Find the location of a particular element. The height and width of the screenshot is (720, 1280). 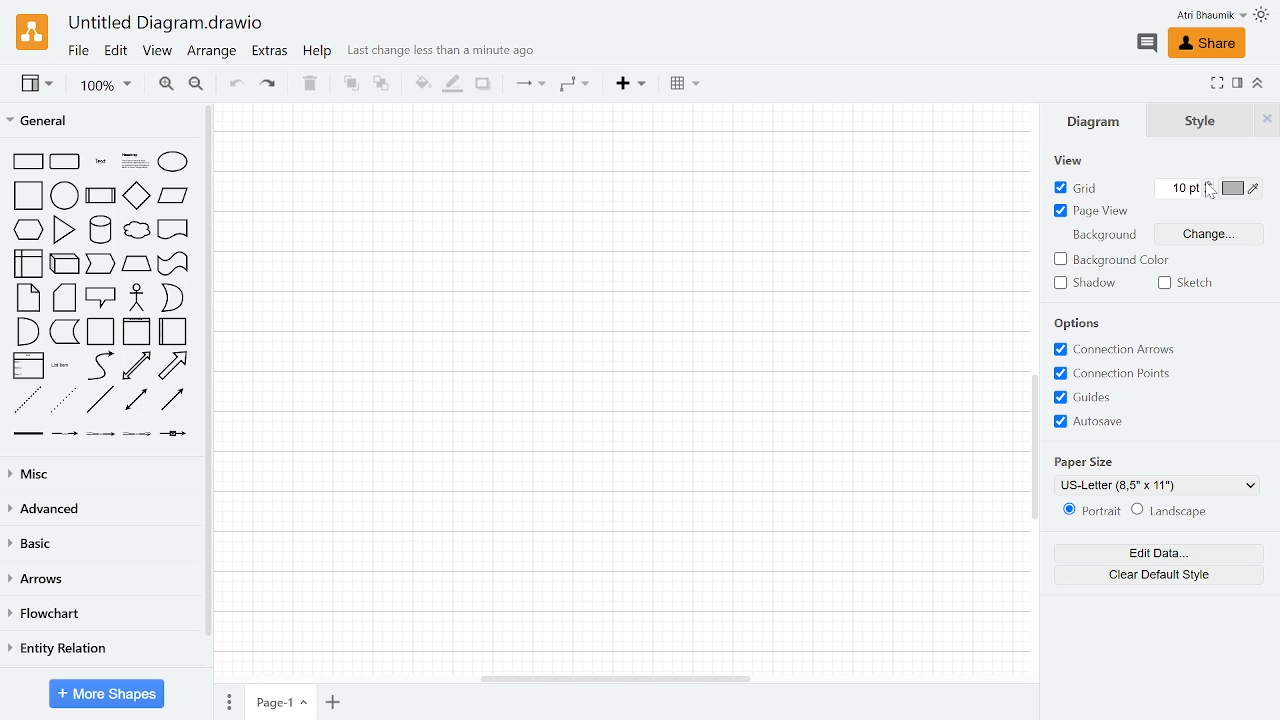

basic is located at coordinates (101, 543).